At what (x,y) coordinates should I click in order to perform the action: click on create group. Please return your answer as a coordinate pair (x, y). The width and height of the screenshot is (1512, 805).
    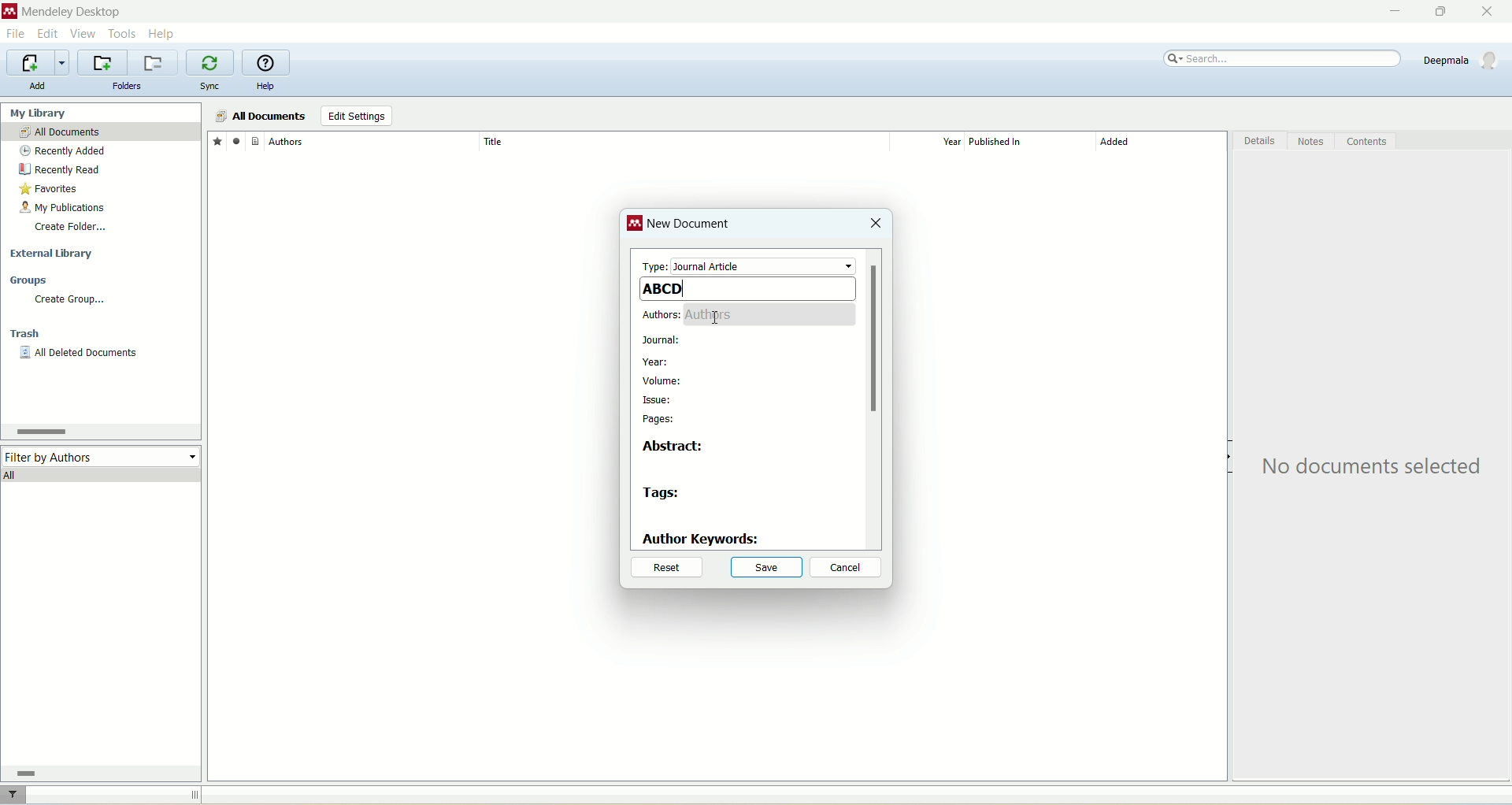
    Looking at the image, I should click on (69, 299).